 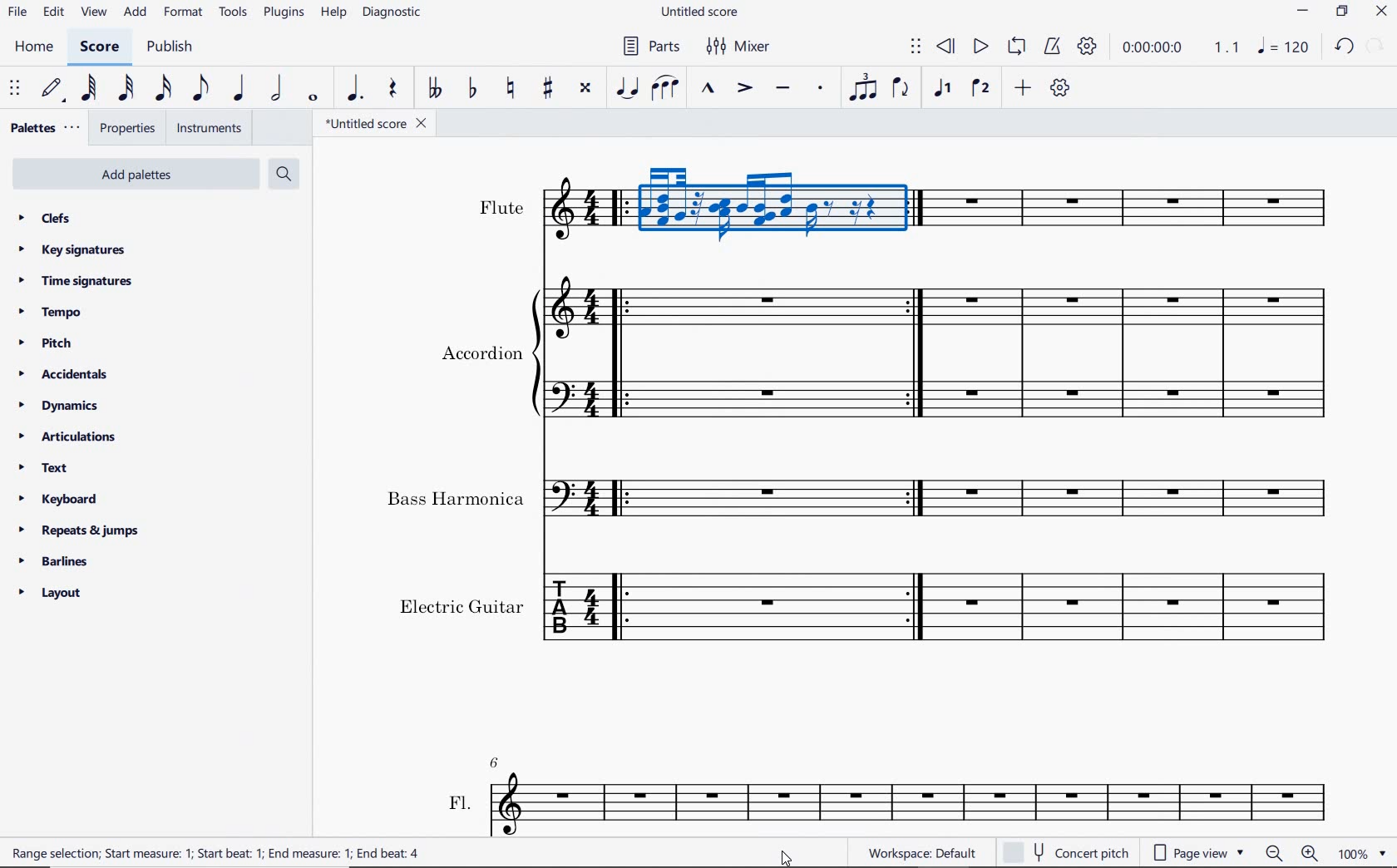 I want to click on plugins, so click(x=284, y=12).